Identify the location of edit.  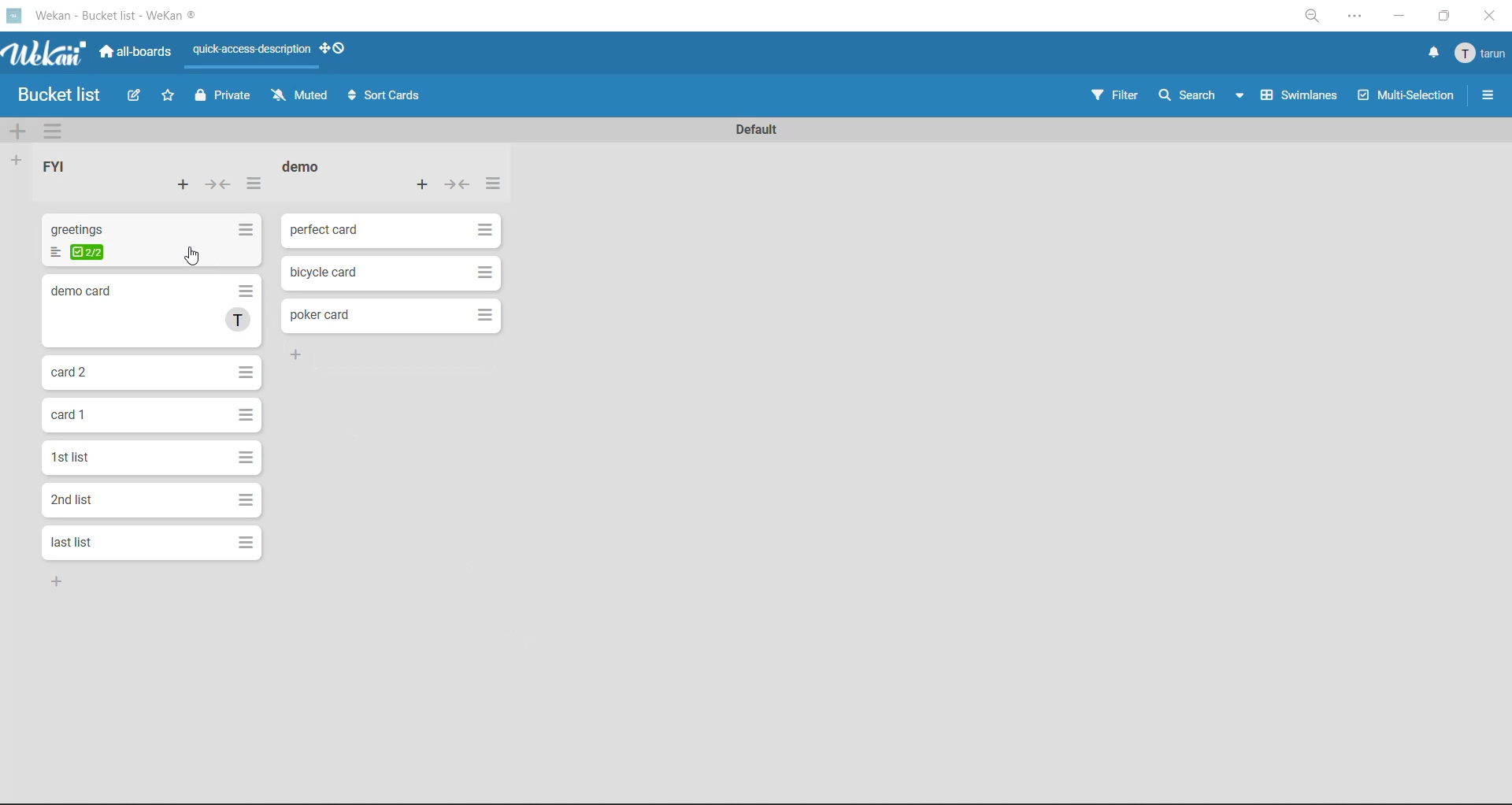
(135, 98).